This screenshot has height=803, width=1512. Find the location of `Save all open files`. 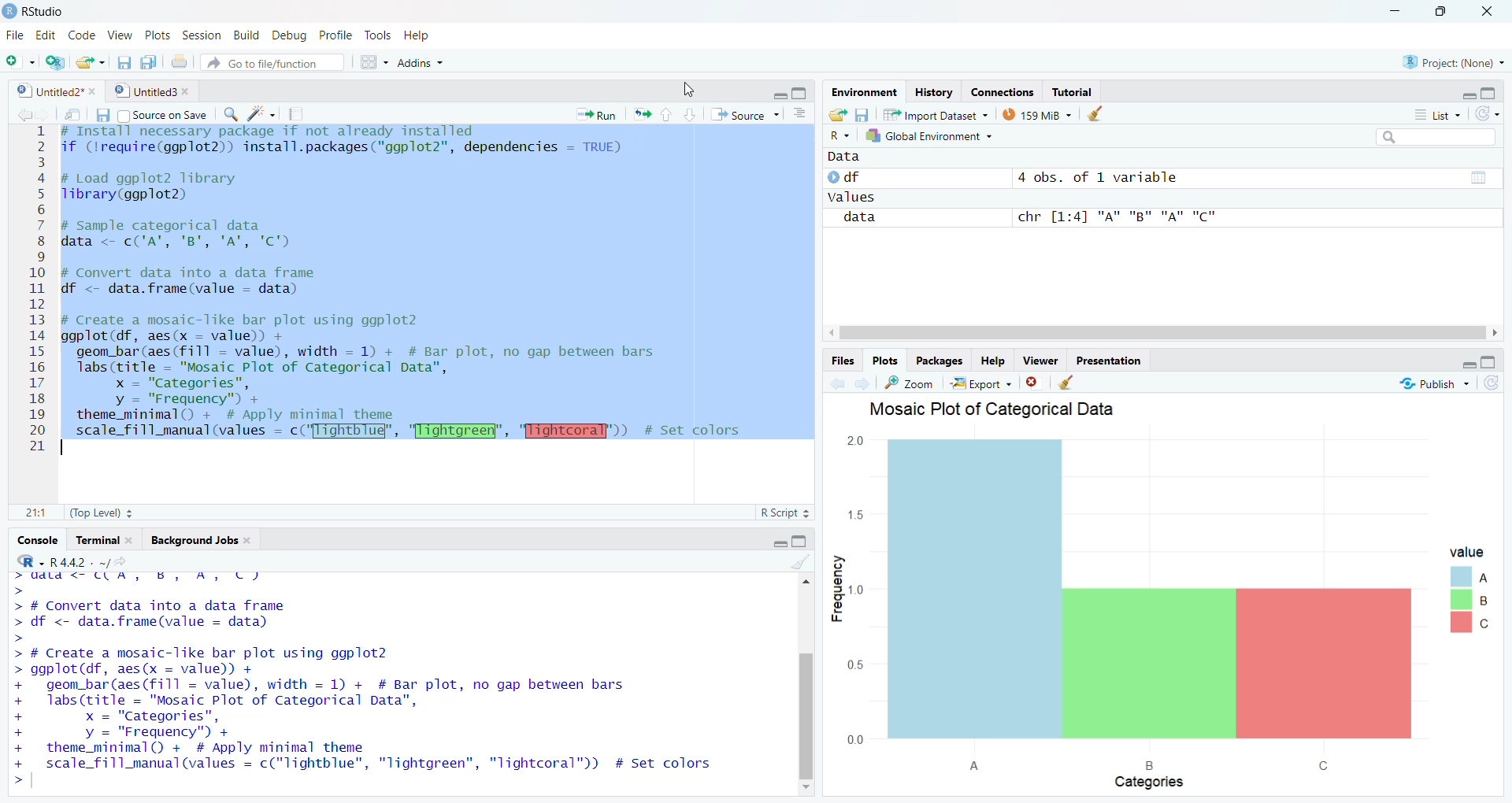

Save all open files is located at coordinates (150, 62).